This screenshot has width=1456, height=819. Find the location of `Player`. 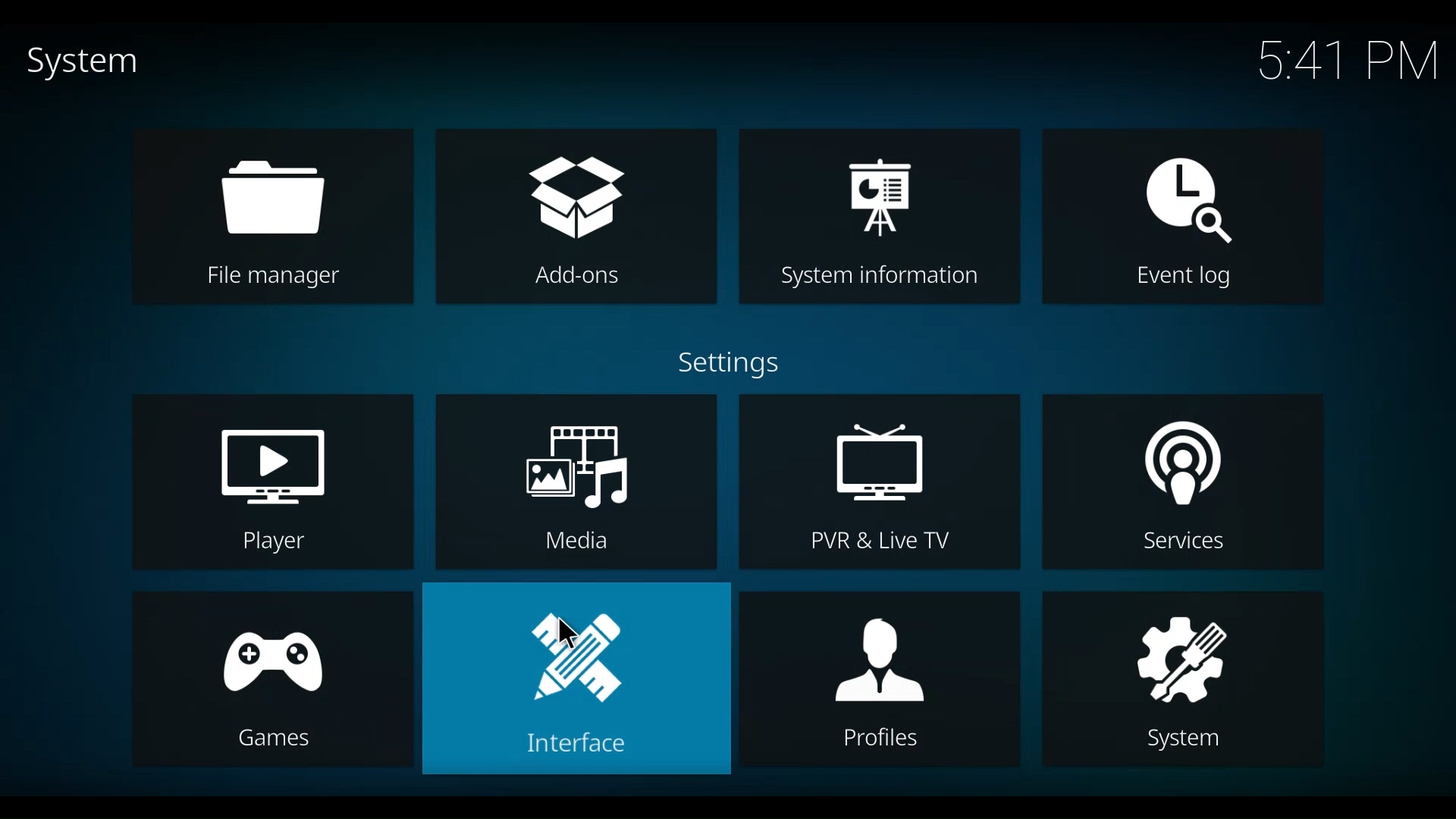

Player is located at coordinates (271, 481).